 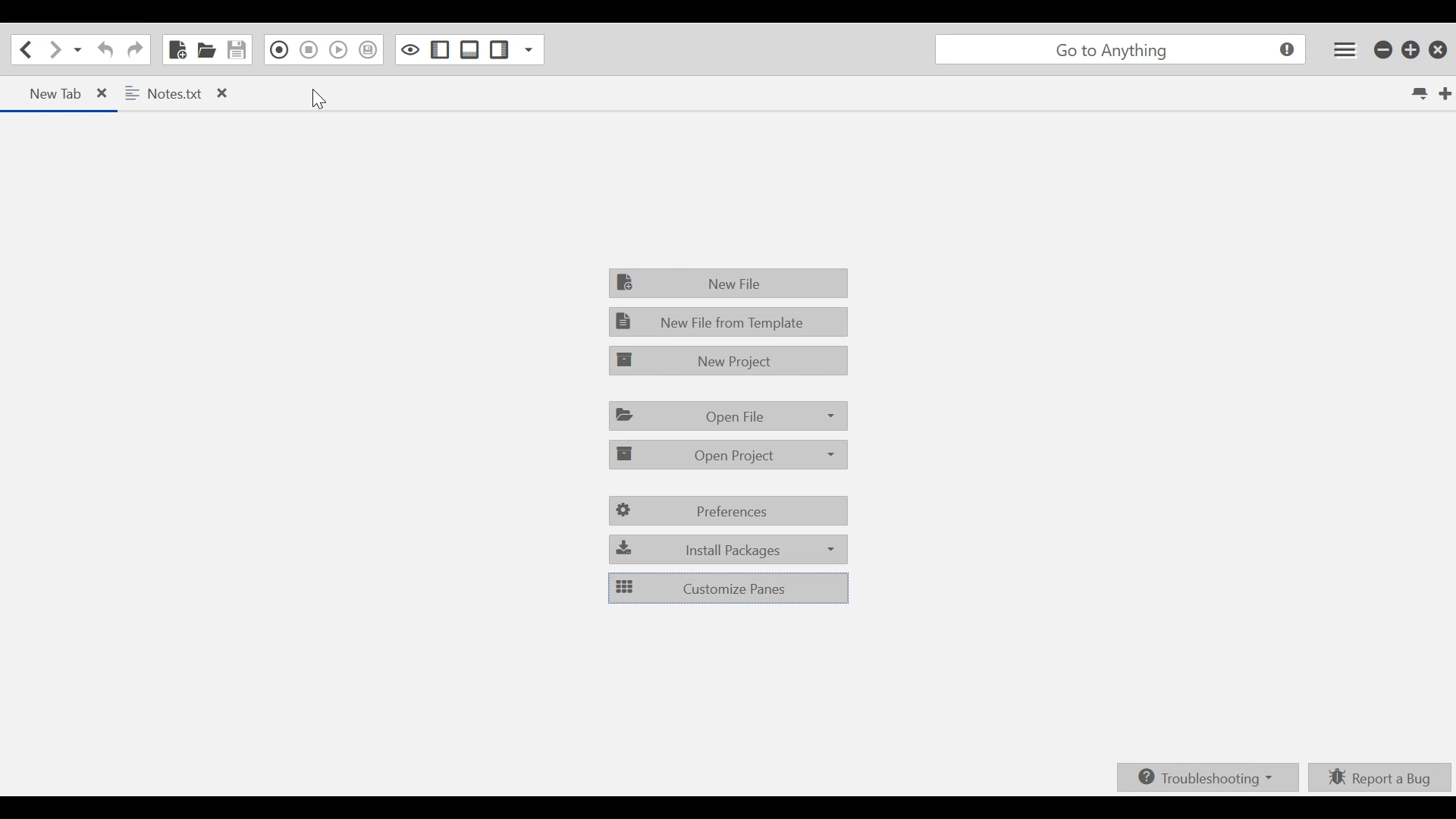 What do you see at coordinates (1208, 776) in the screenshot?
I see `Troubleshooting` at bounding box center [1208, 776].